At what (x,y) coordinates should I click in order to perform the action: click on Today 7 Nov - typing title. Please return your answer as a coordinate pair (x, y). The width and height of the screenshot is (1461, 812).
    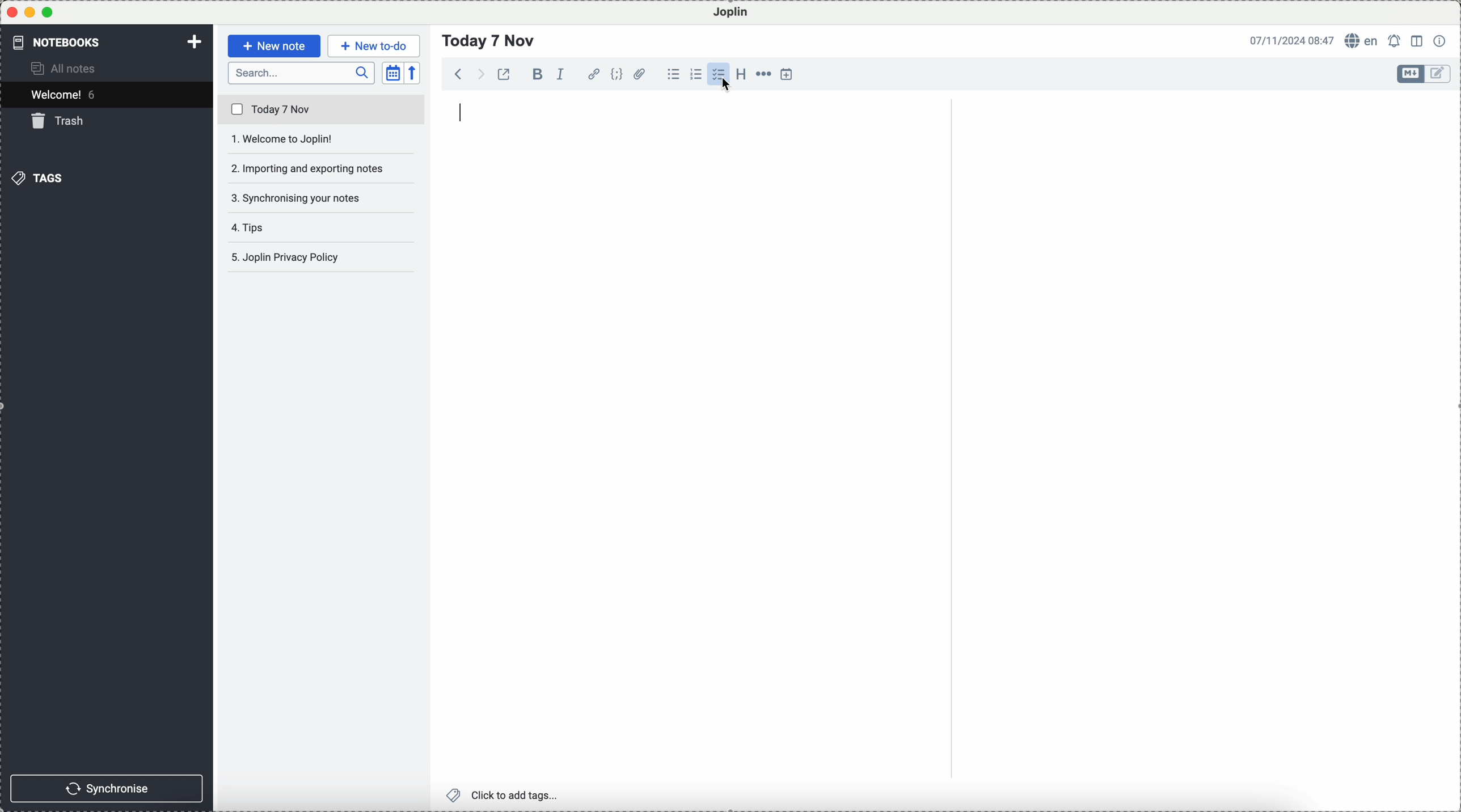
    Looking at the image, I should click on (489, 41).